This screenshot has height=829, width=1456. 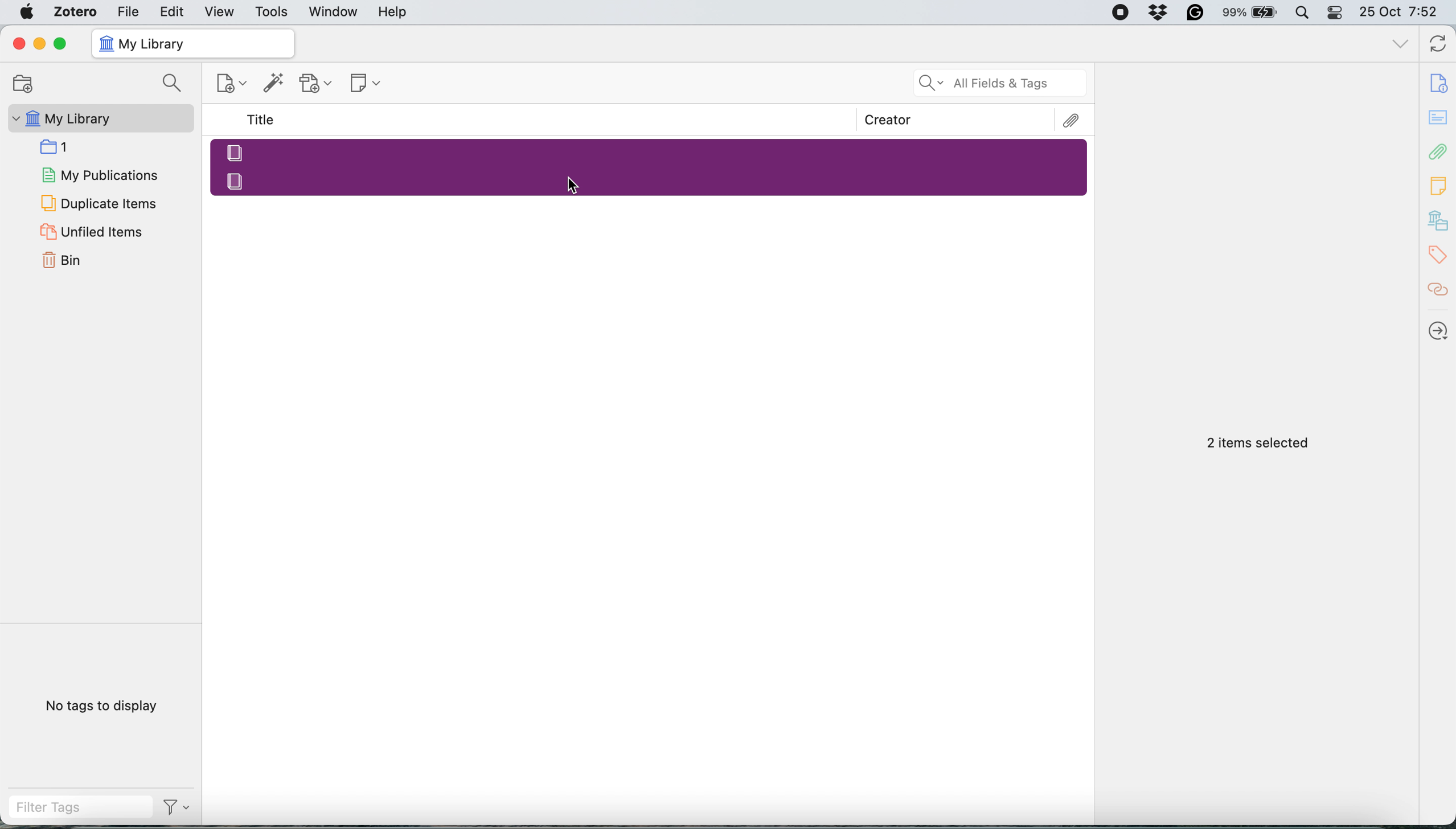 What do you see at coordinates (221, 12) in the screenshot?
I see `View` at bounding box center [221, 12].